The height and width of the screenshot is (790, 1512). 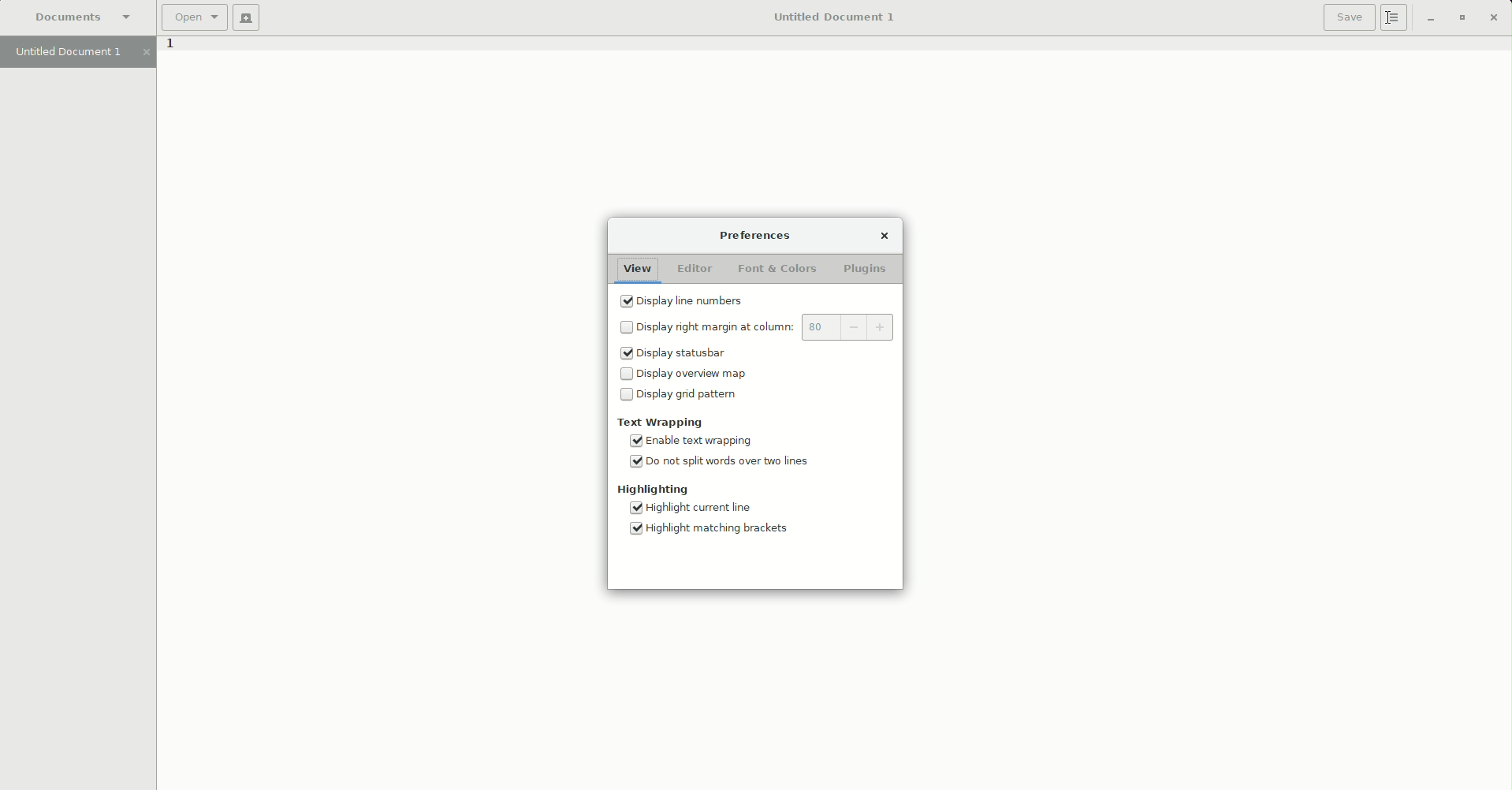 What do you see at coordinates (721, 464) in the screenshot?
I see `Do no split words over two lines` at bounding box center [721, 464].